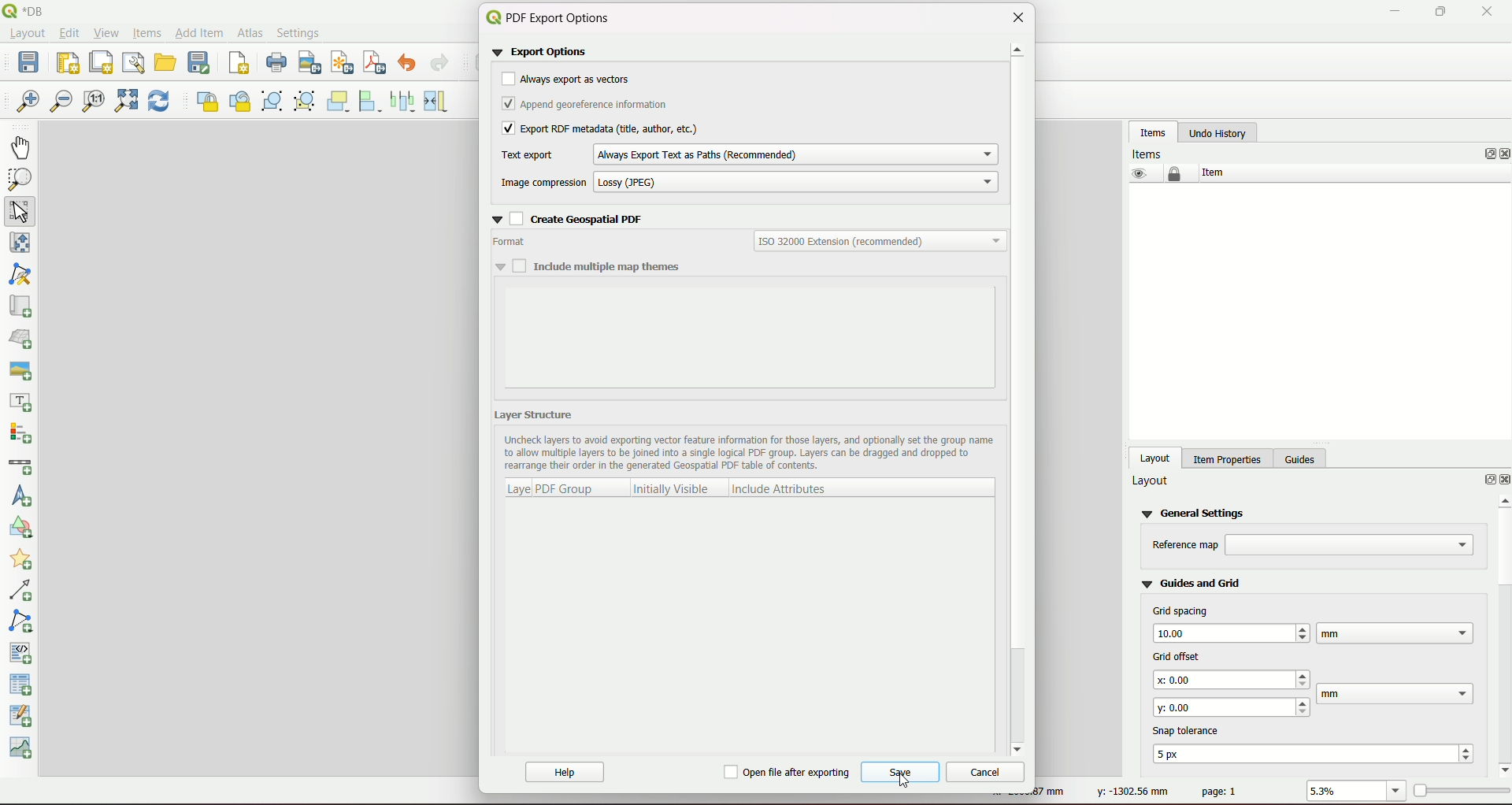  Describe the element at coordinates (146, 34) in the screenshot. I see `Items` at that location.